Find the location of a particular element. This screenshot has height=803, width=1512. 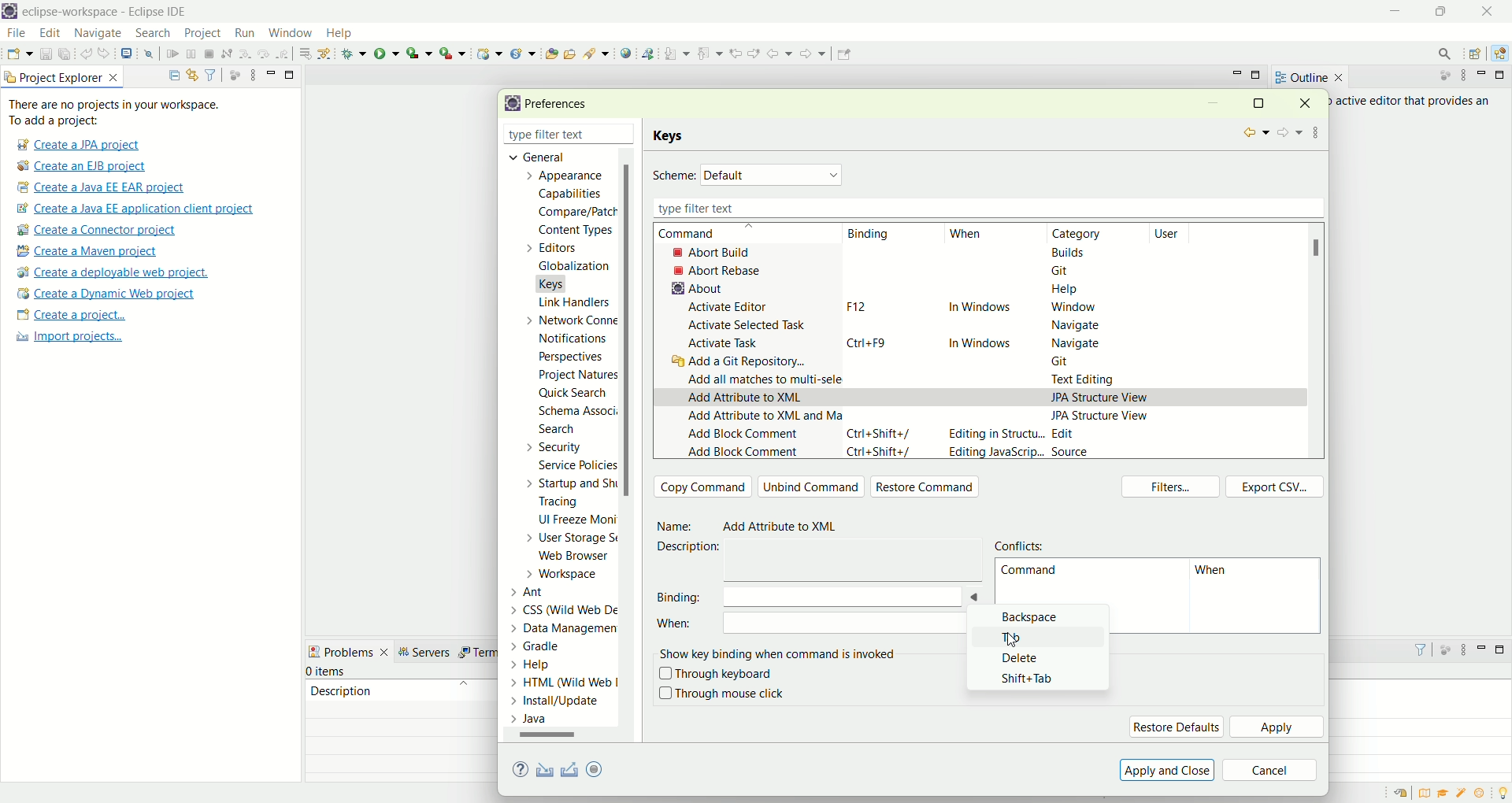

minimize is located at coordinates (1482, 647).